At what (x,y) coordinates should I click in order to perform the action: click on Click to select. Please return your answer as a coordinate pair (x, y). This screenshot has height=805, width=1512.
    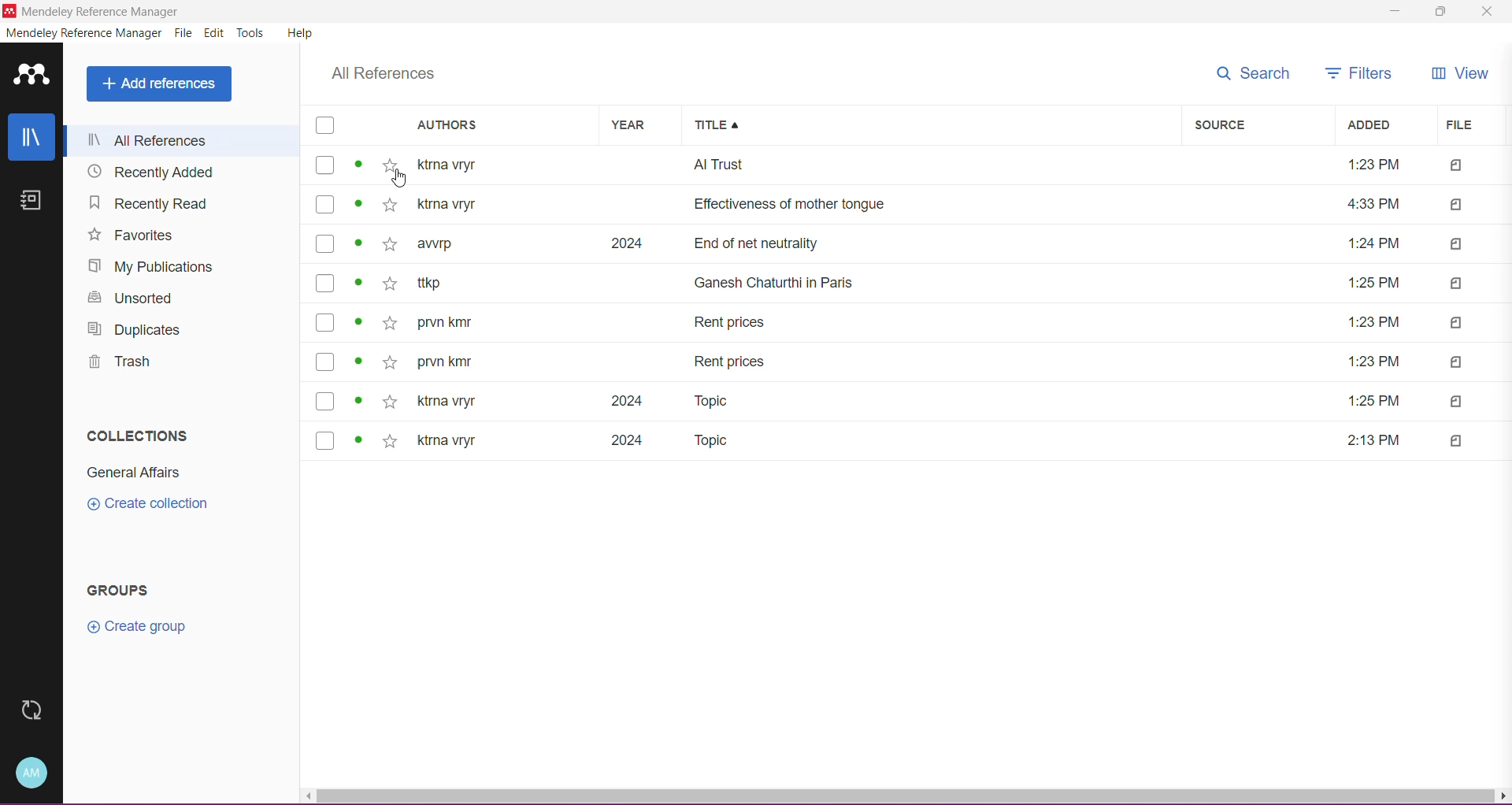
    Looking at the image, I should click on (325, 204).